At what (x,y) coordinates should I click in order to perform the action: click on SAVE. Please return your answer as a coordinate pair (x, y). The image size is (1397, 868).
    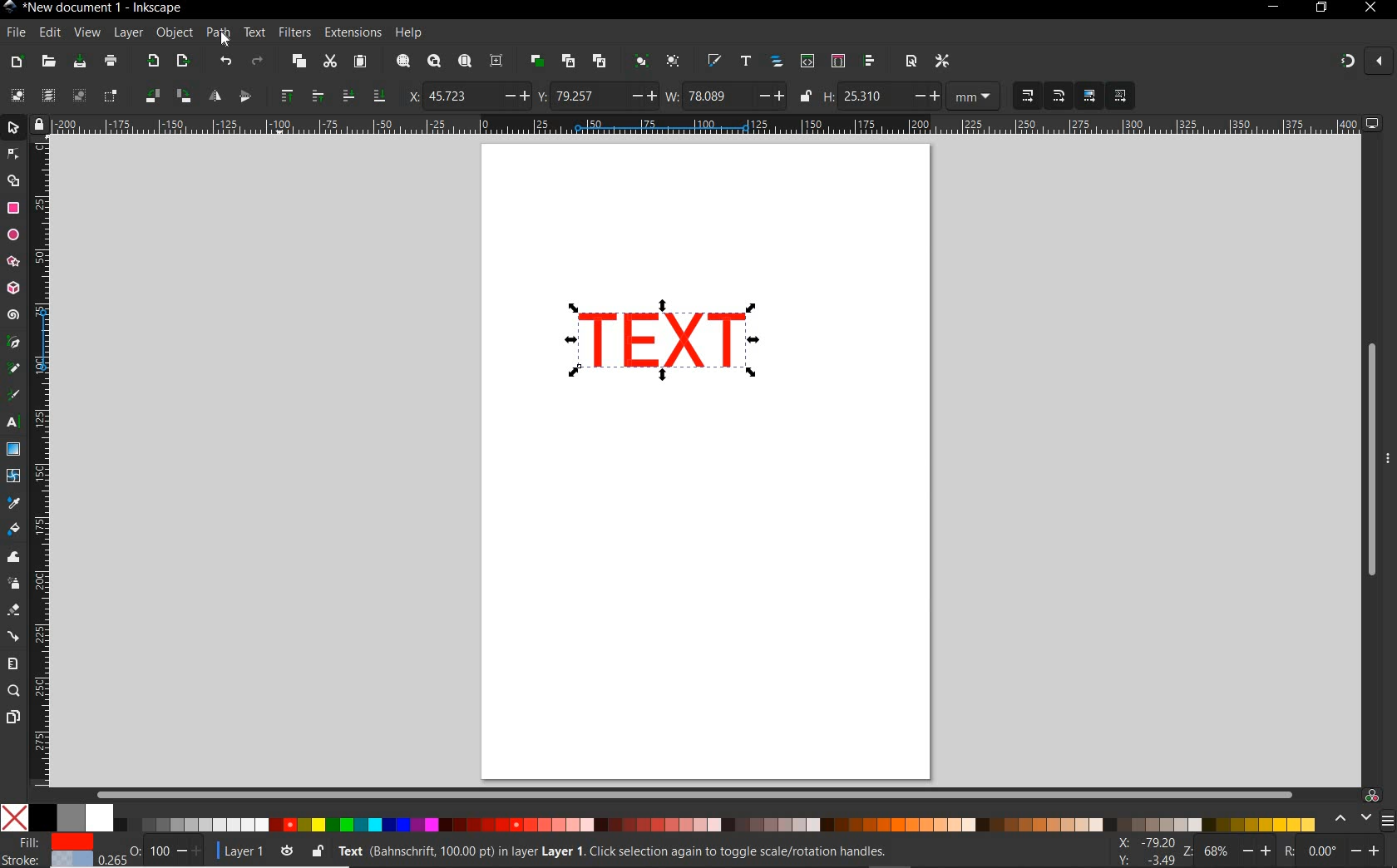
    Looking at the image, I should click on (78, 62).